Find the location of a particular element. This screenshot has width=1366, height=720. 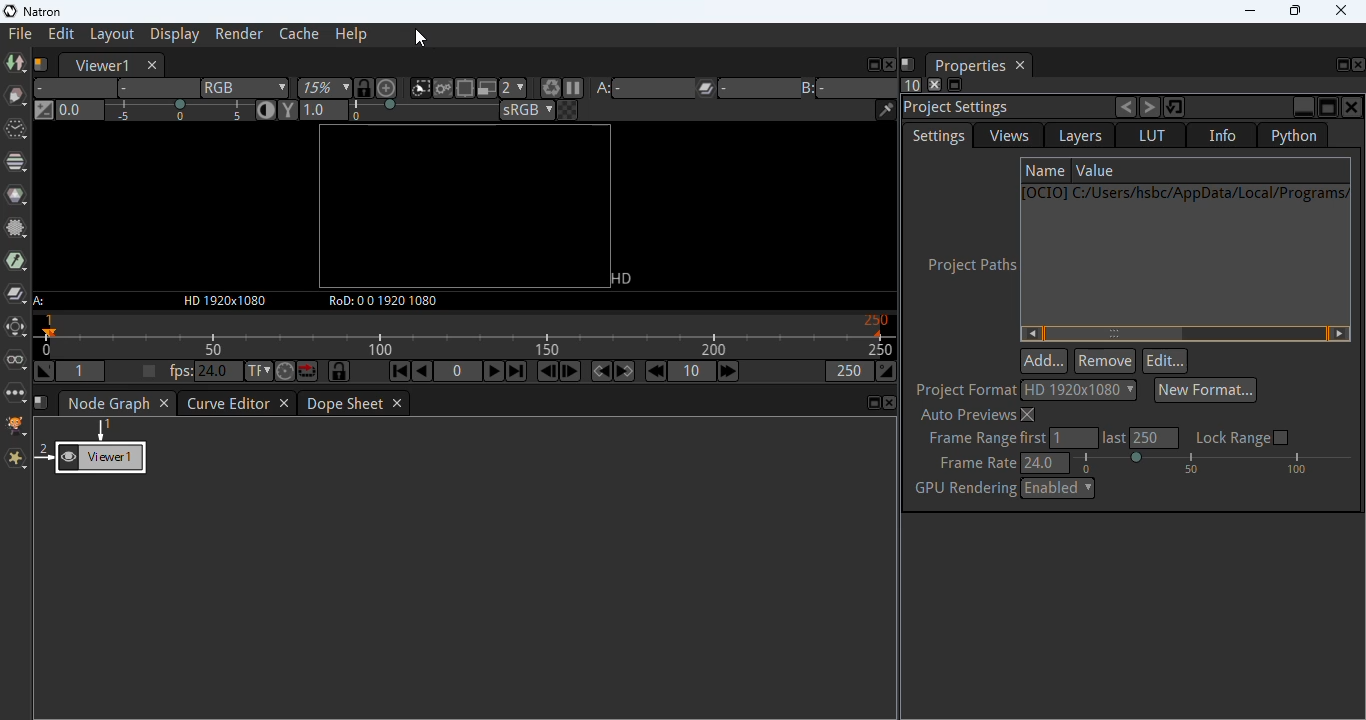

250 is located at coordinates (1156, 438).